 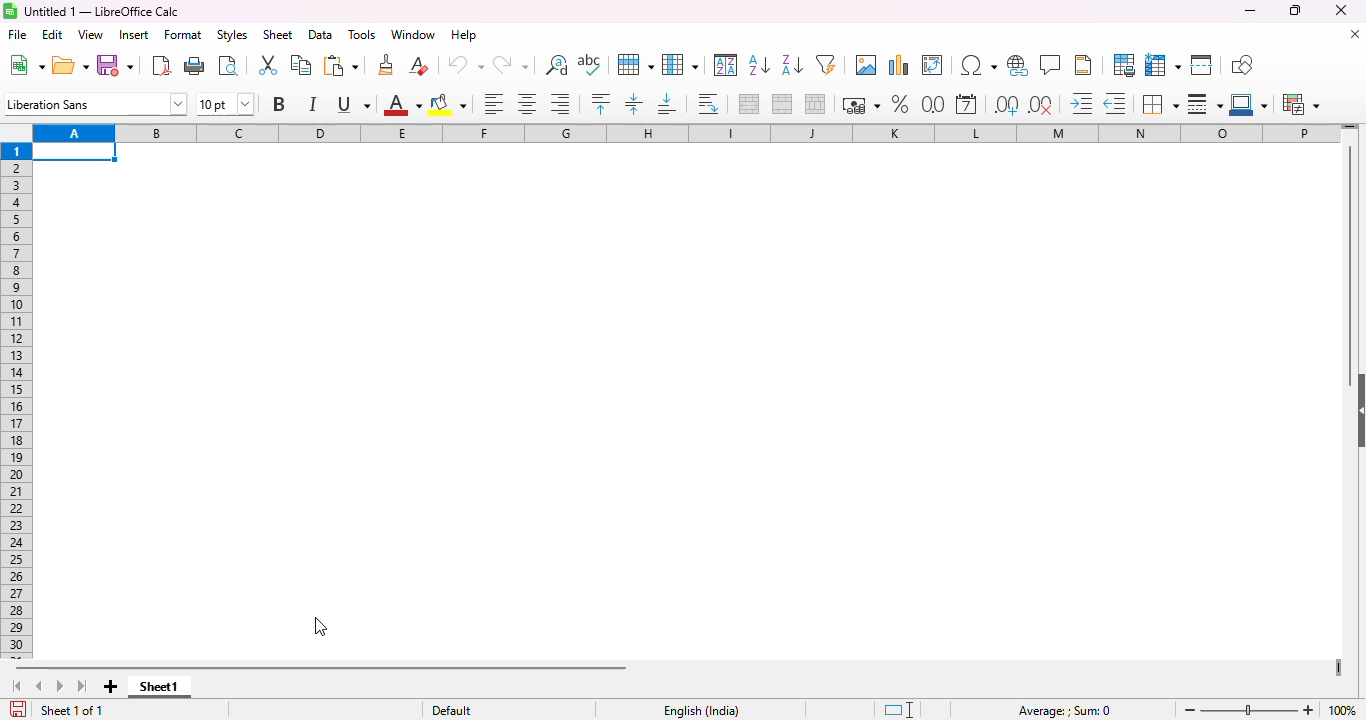 I want to click on print, so click(x=195, y=66).